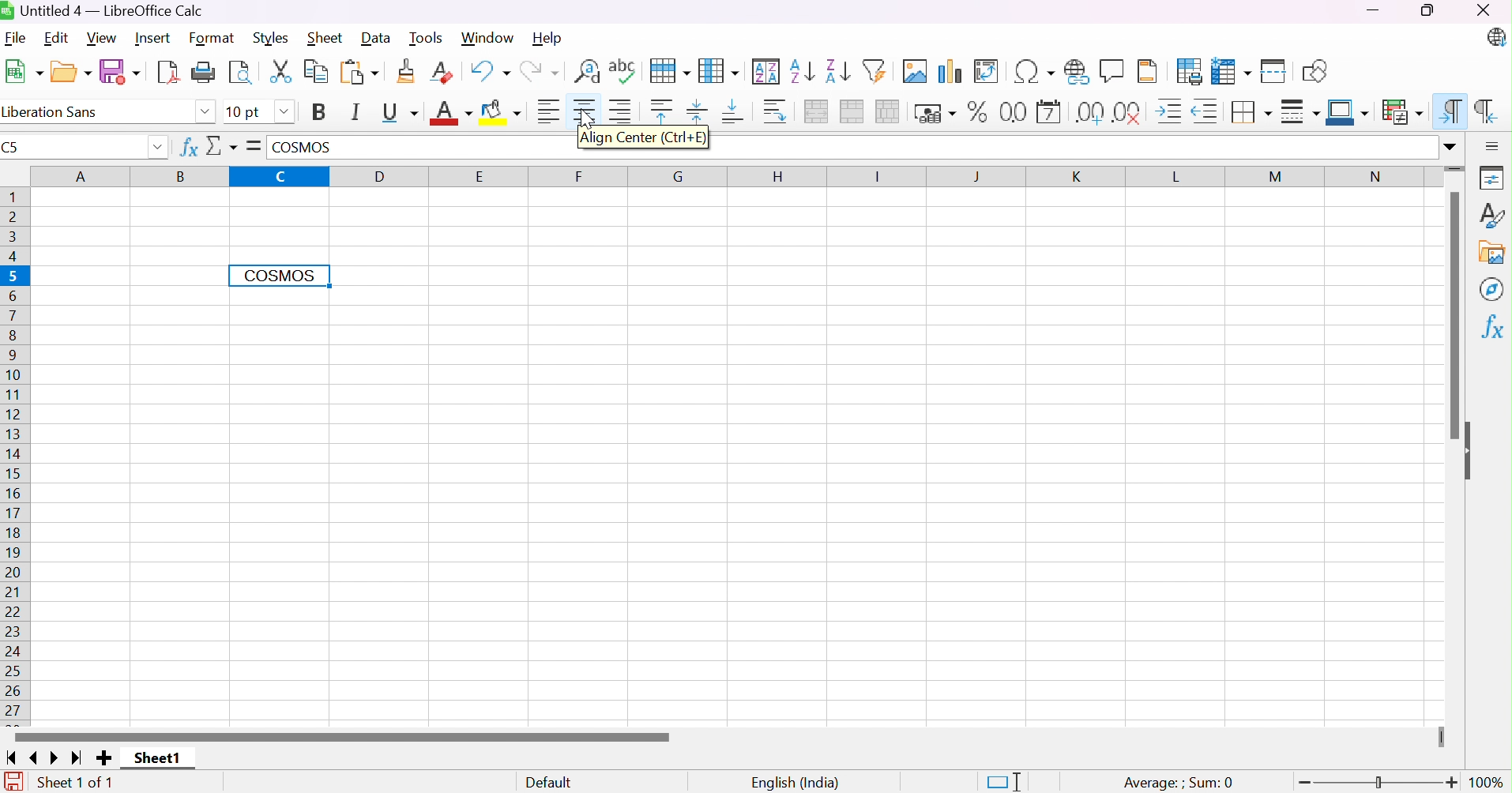 The height and width of the screenshot is (793, 1512). What do you see at coordinates (359, 112) in the screenshot?
I see `Italic` at bounding box center [359, 112].